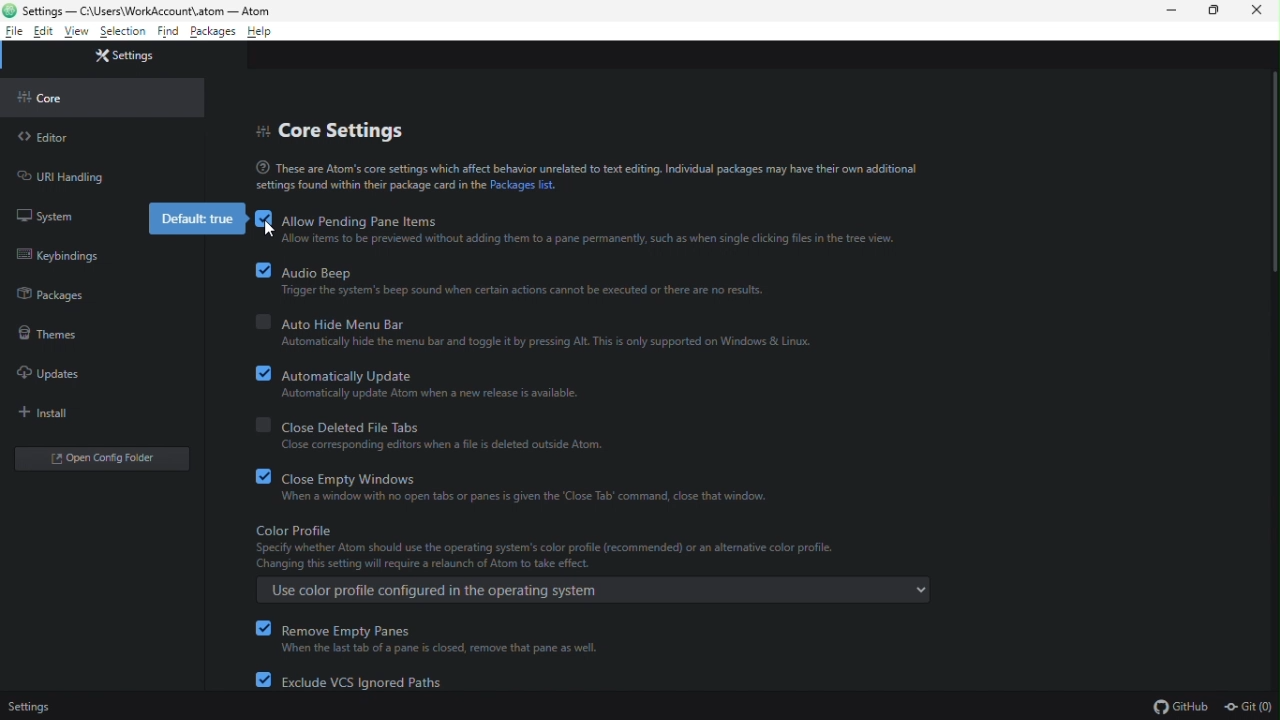 Image resolution: width=1280 pixels, height=720 pixels. What do you see at coordinates (104, 461) in the screenshot?
I see `open folder` at bounding box center [104, 461].